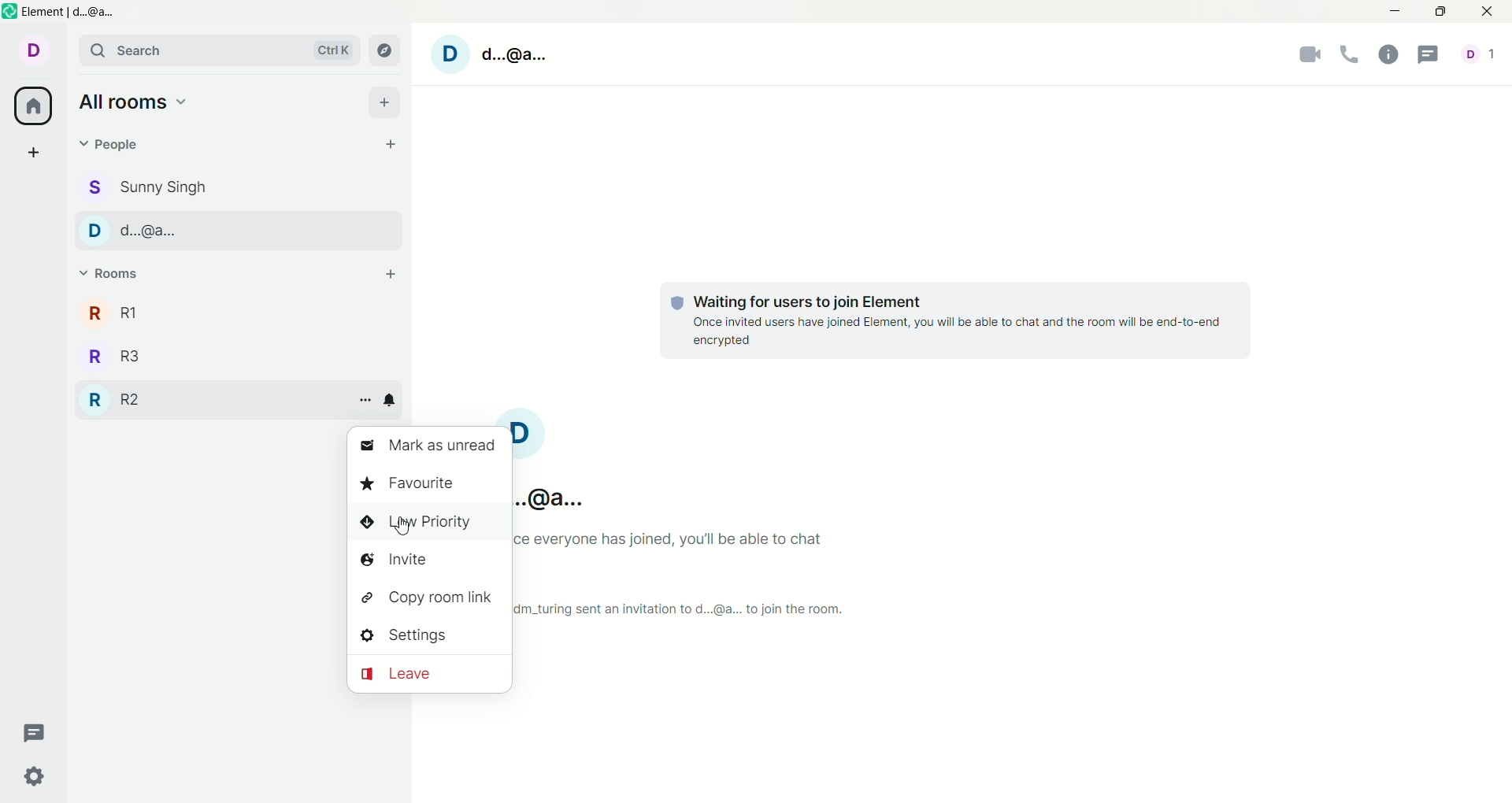 The height and width of the screenshot is (803, 1512). I want to click on video call, so click(1314, 56).